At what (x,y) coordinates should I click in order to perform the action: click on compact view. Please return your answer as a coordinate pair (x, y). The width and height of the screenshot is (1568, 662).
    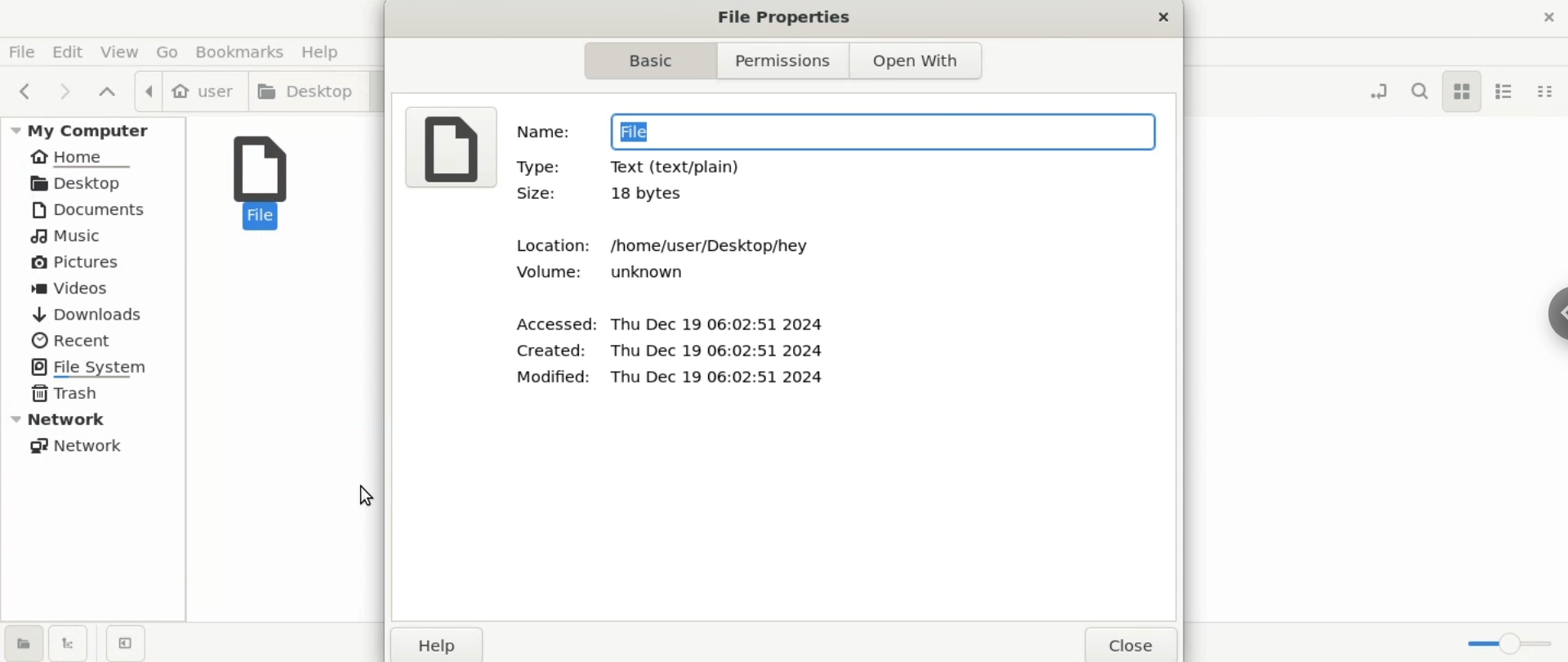
    Looking at the image, I should click on (1551, 92).